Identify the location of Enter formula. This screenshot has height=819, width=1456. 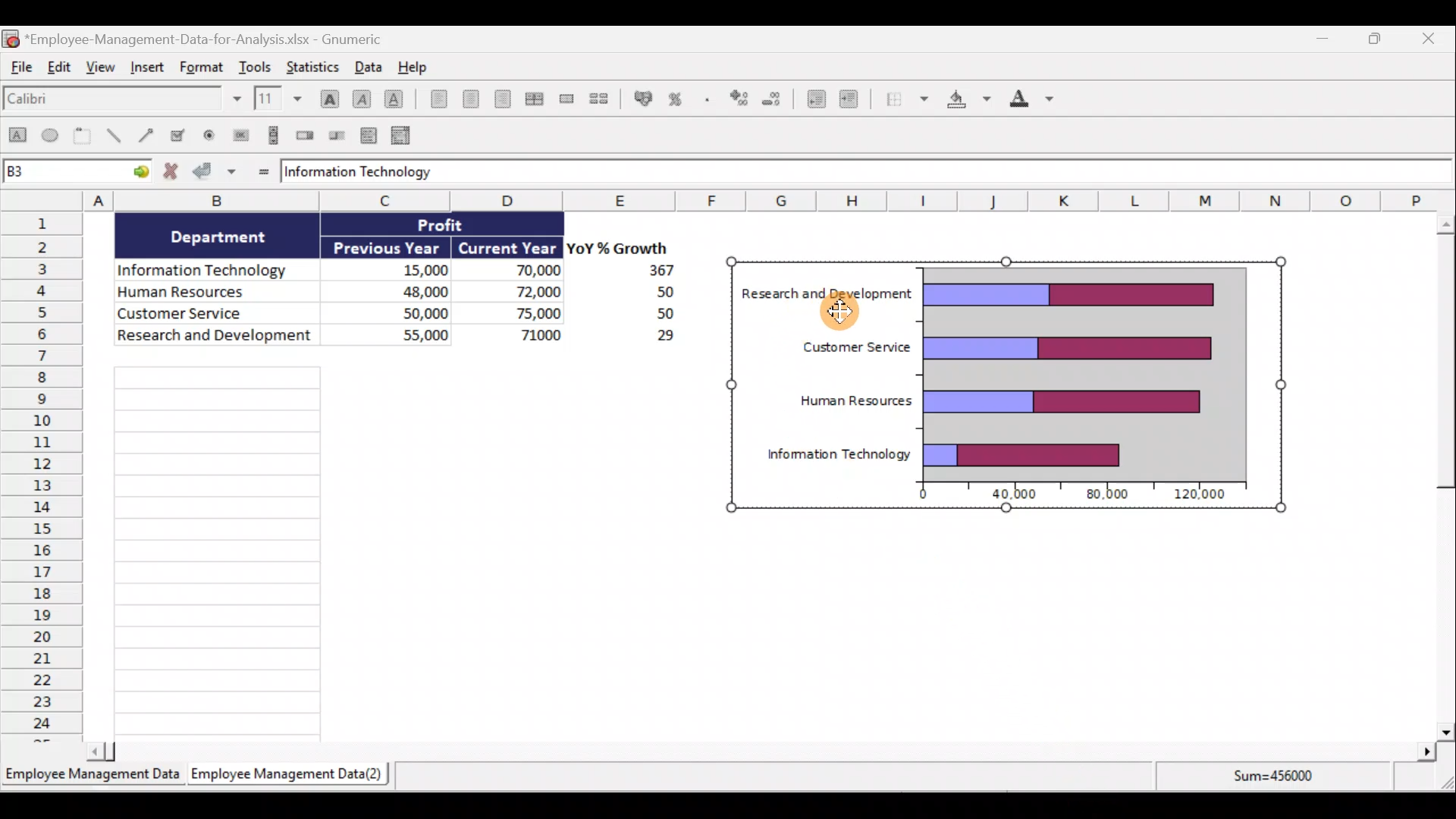
(262, 173).